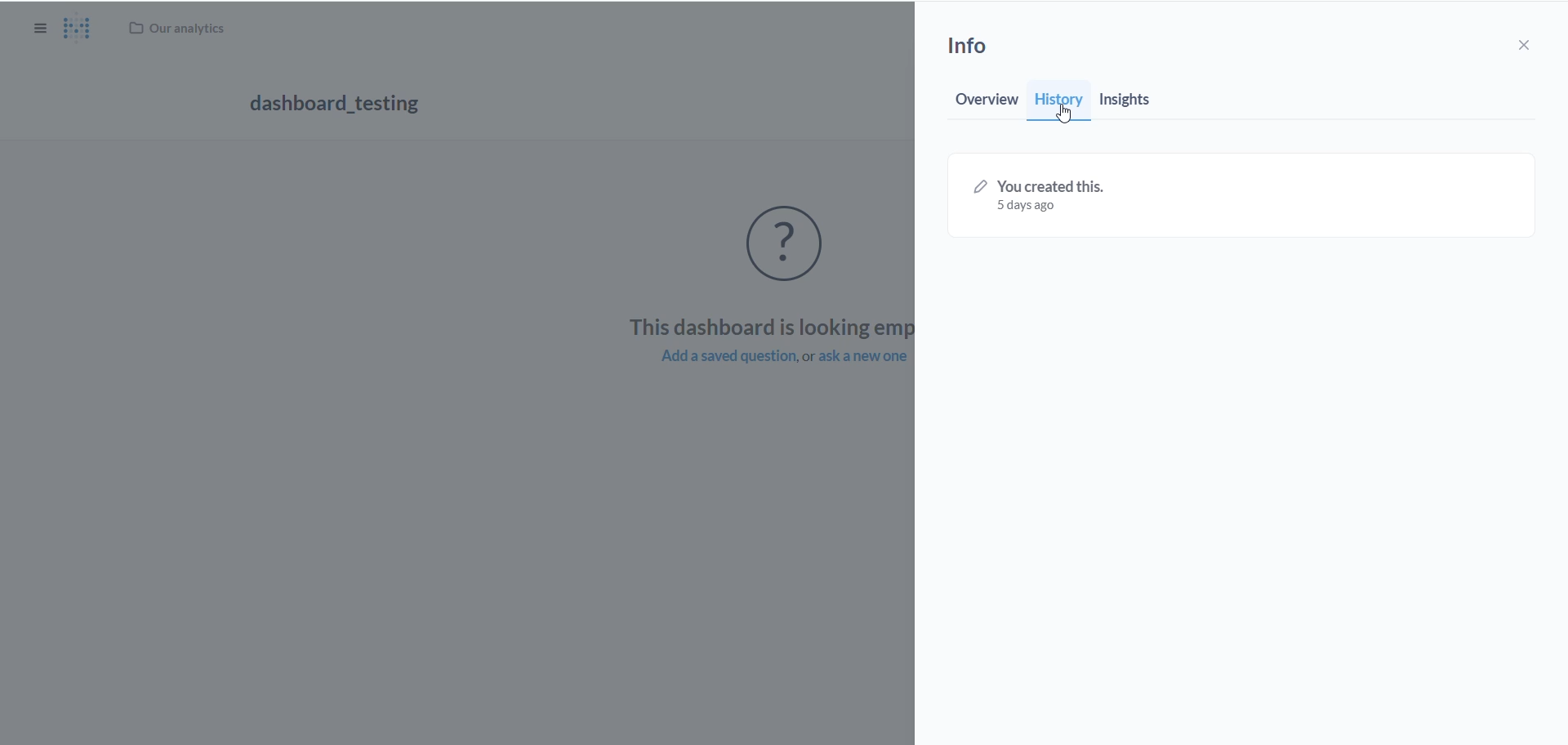  What do you see at coordinates (1062, 112) in the screenshot?
I see `cursor` at bounding box center [1062, 112].